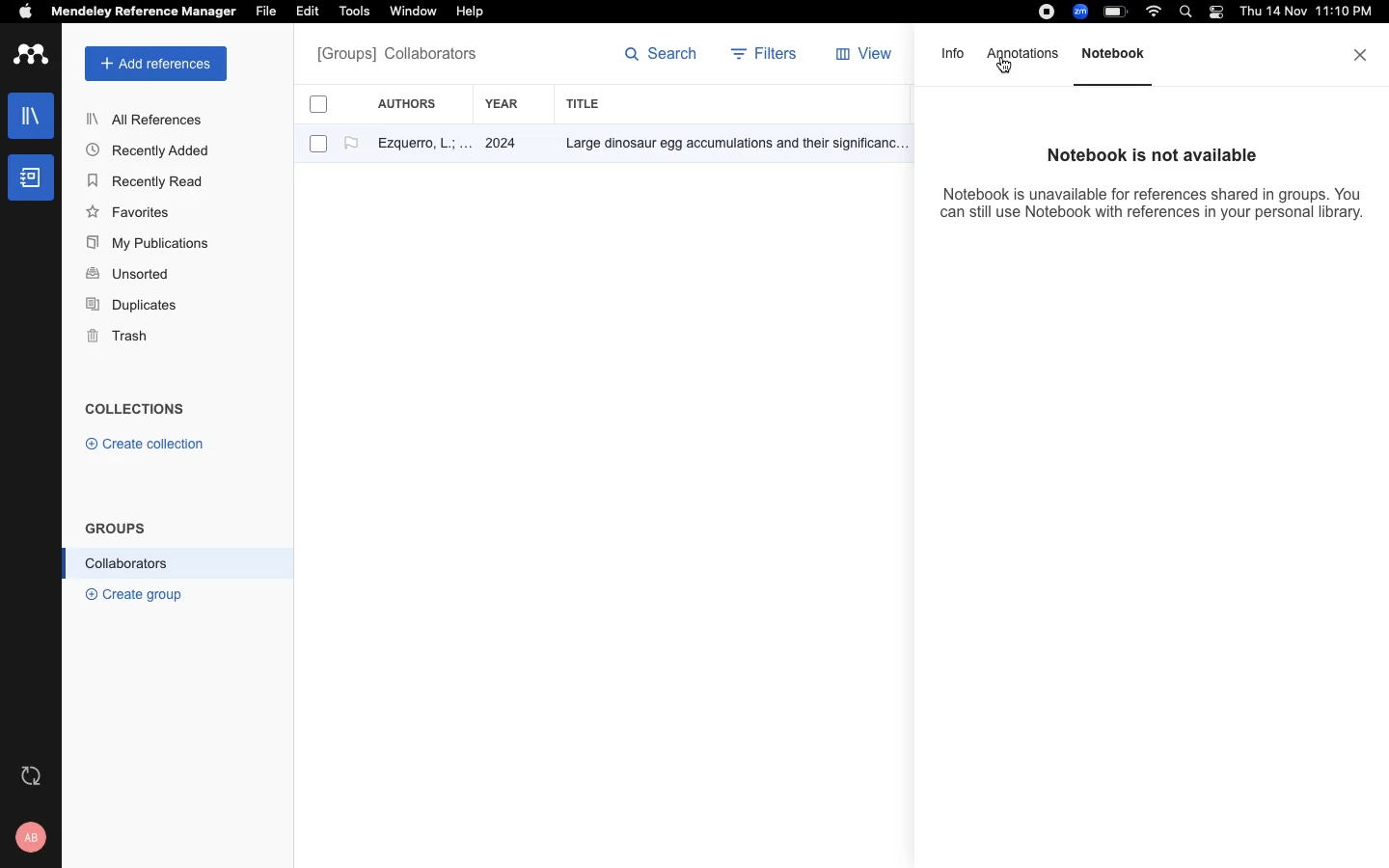  Describe the element at coordinates (116, 527) in the screenshot. I see `GROUPS` at that location.